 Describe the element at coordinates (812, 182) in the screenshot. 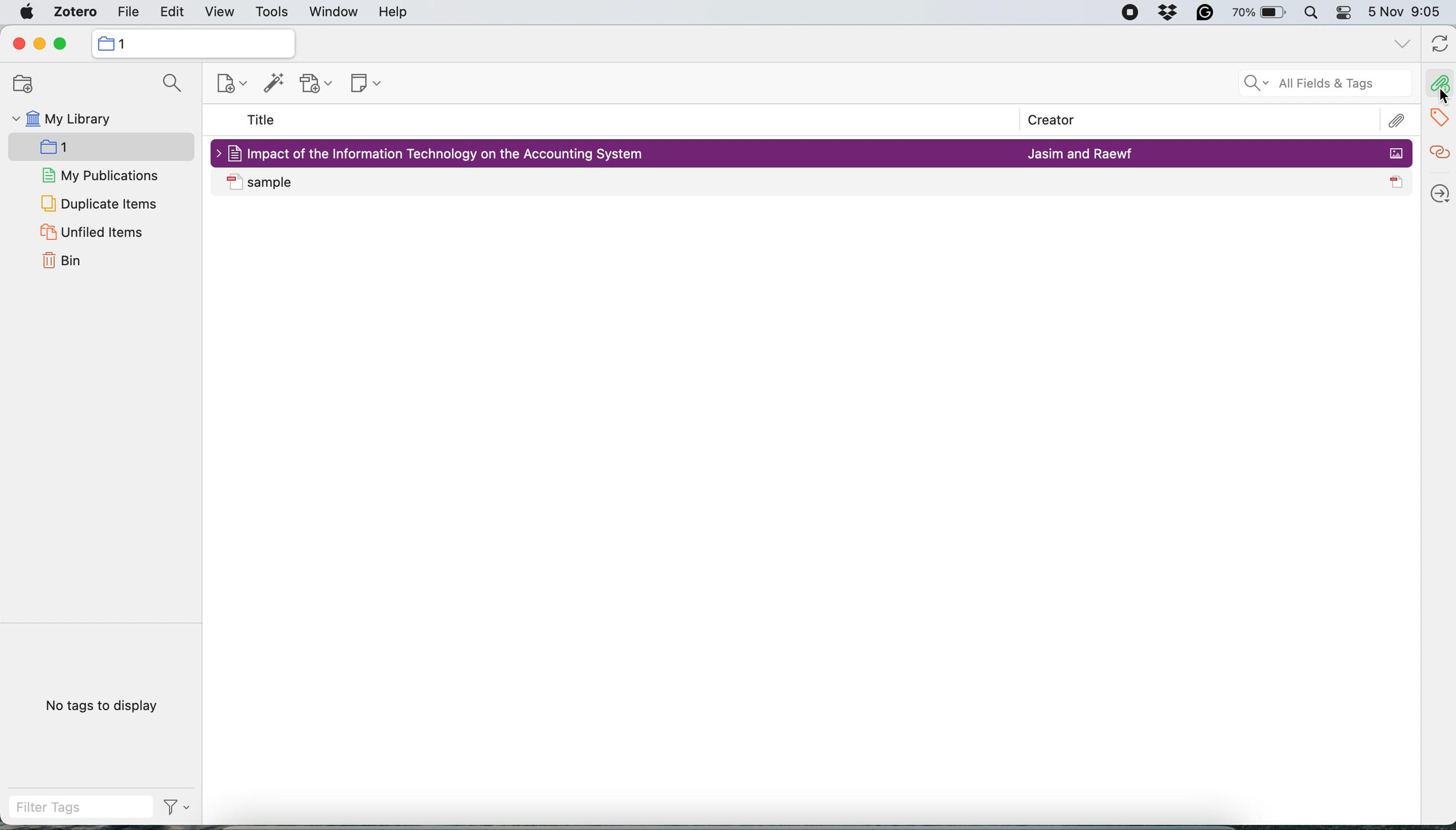

I see `sample` at that location.